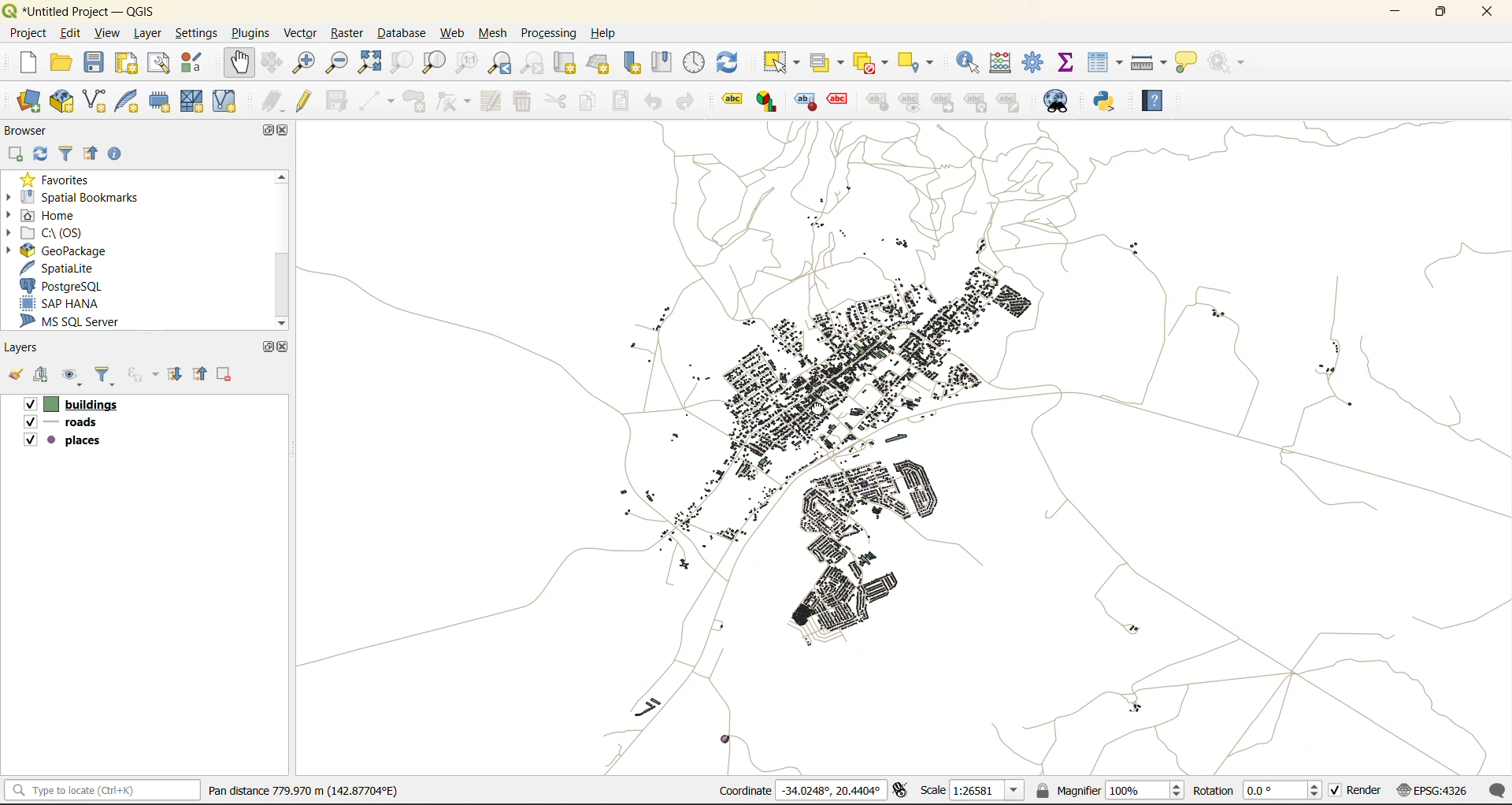  I want to click on maximize, so click(267, 346).